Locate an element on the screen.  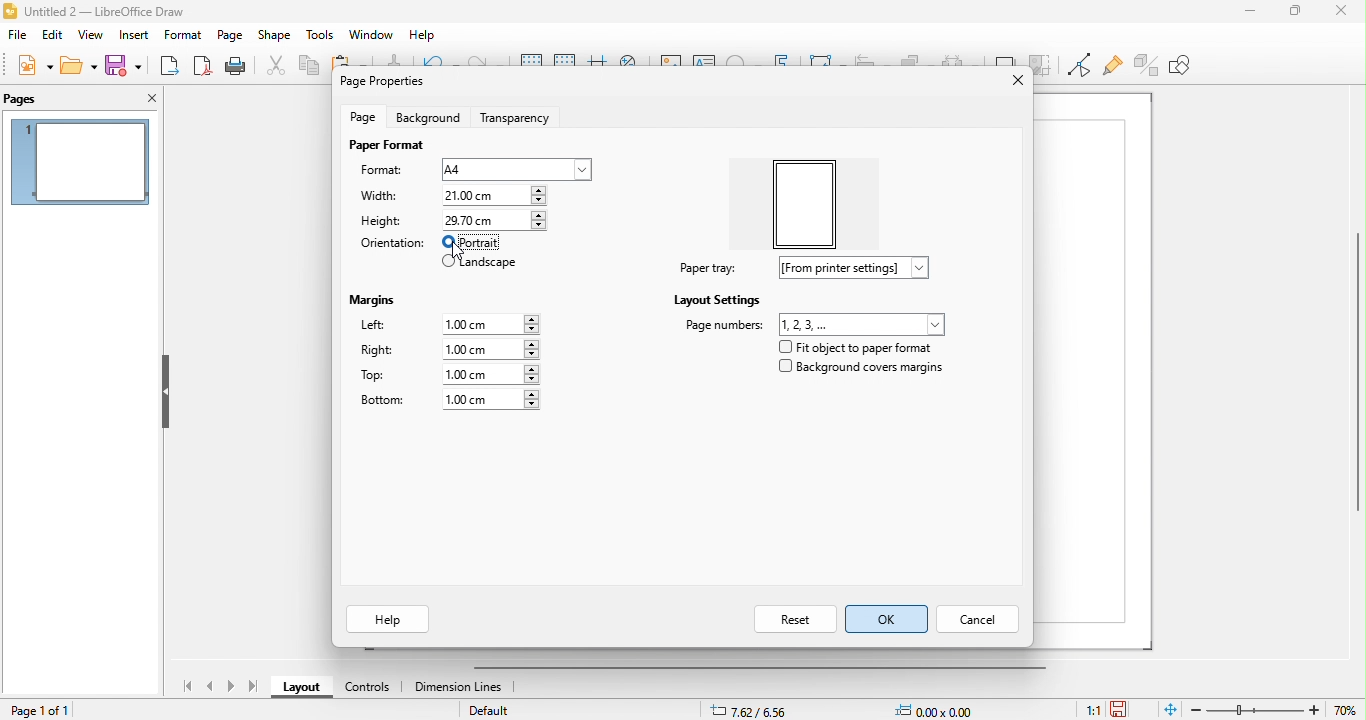
display grid is located at coordinates (529, 62).